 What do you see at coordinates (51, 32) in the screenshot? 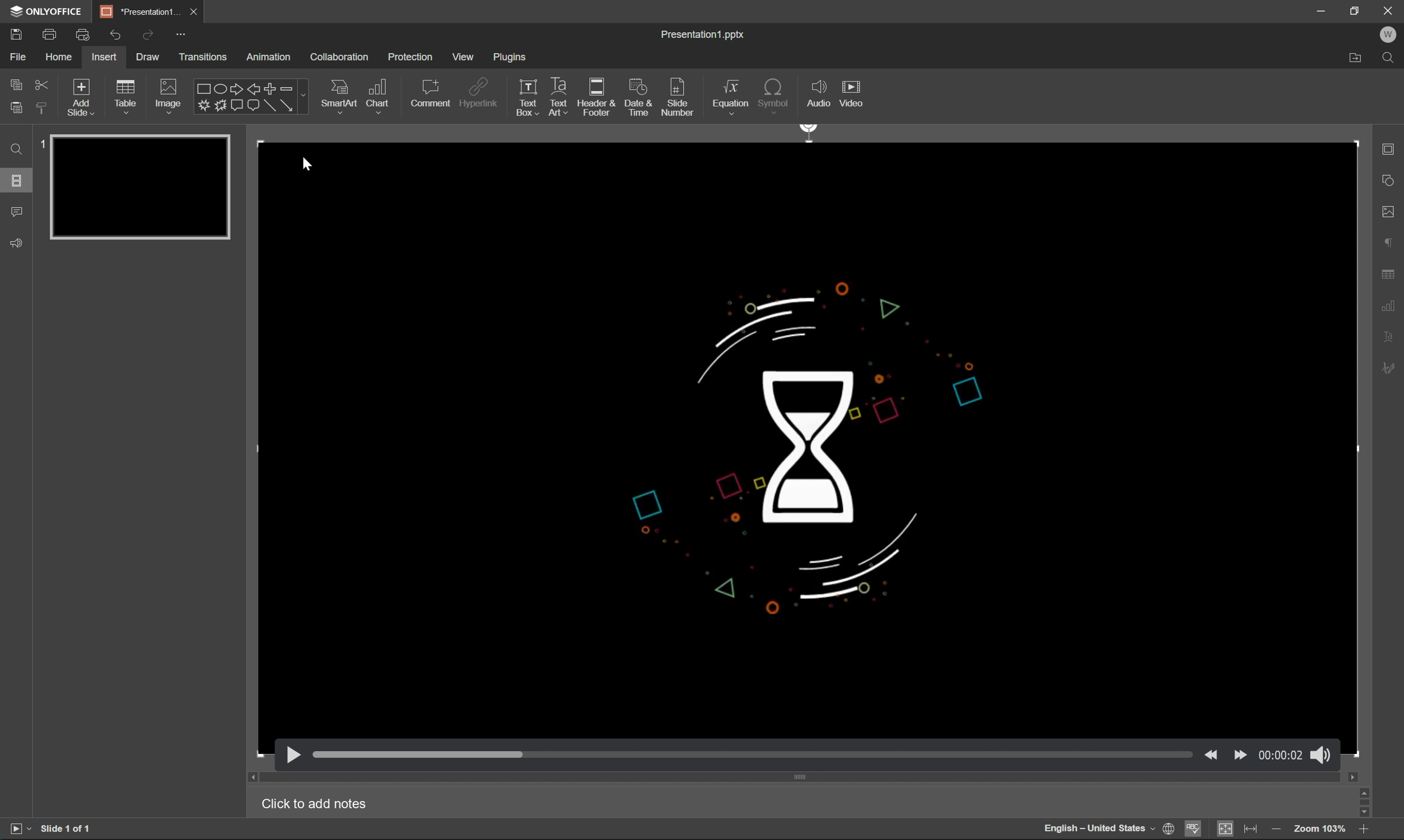
I see `print a file` at bounding box center [51, 32].